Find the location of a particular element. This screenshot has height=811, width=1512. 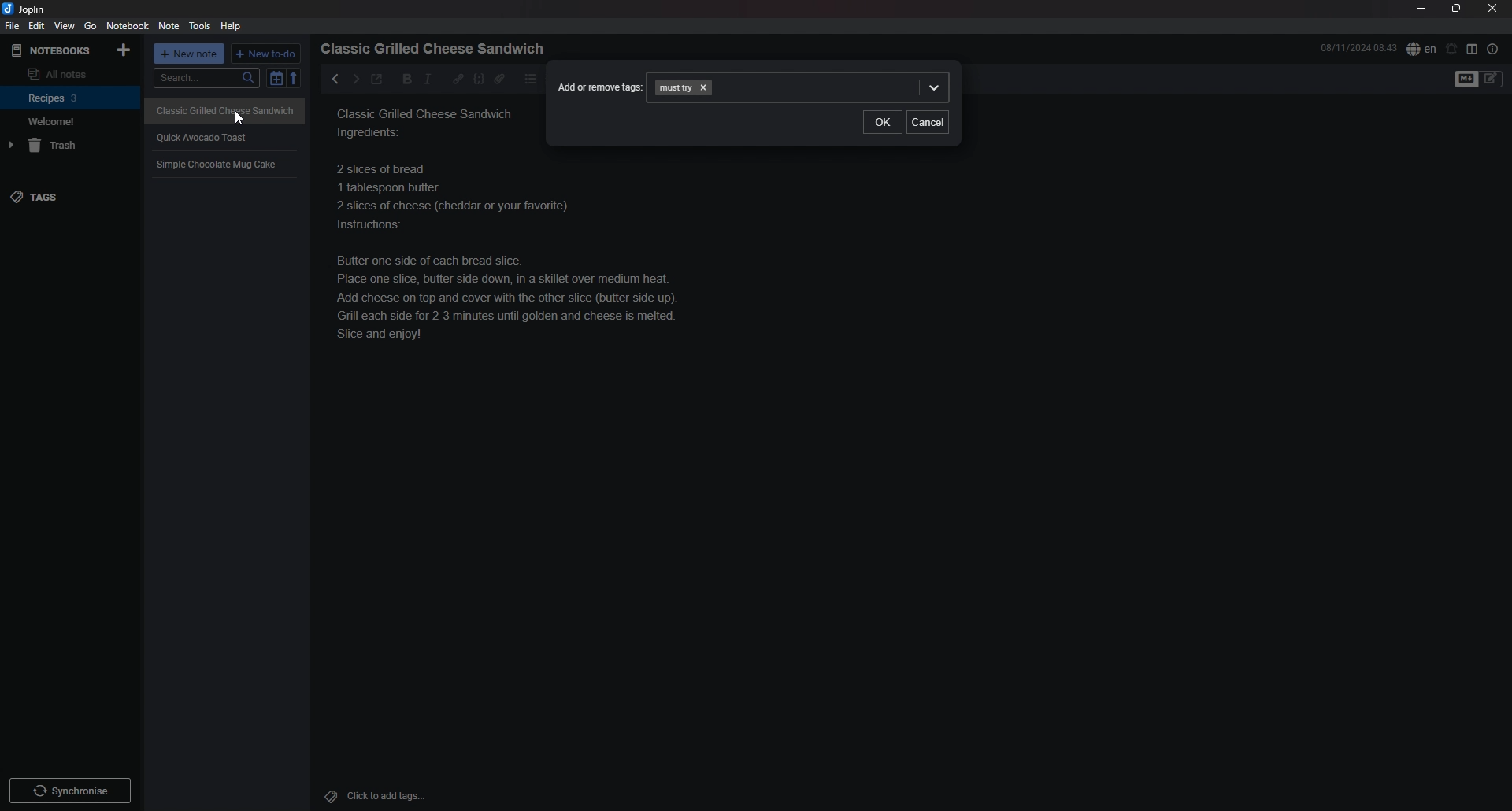

add notebook is located at coordinates (125, 49).